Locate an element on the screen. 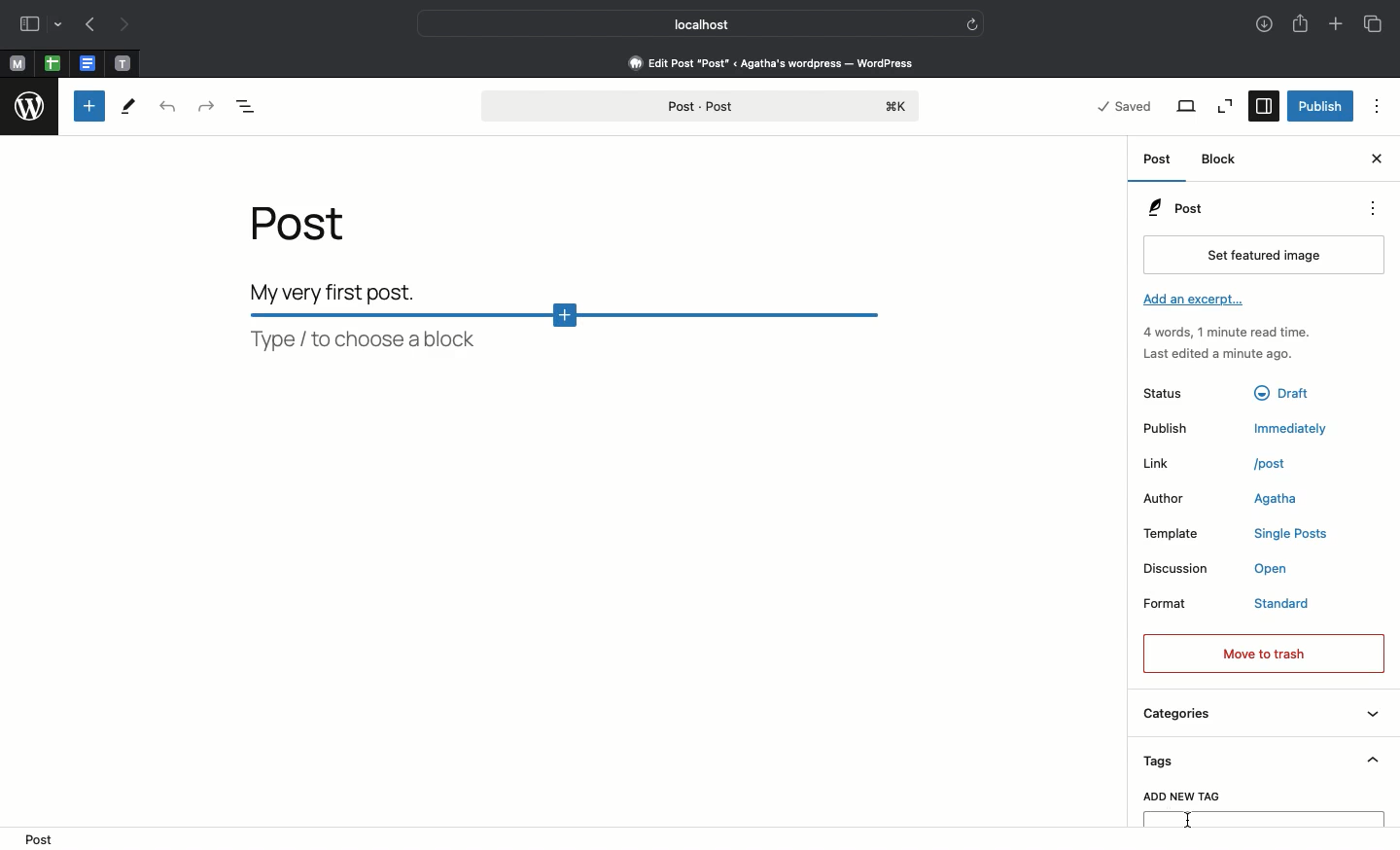 The width and height of the screenshot is (1400, 850). Redo is located at coordinates (204, 104).